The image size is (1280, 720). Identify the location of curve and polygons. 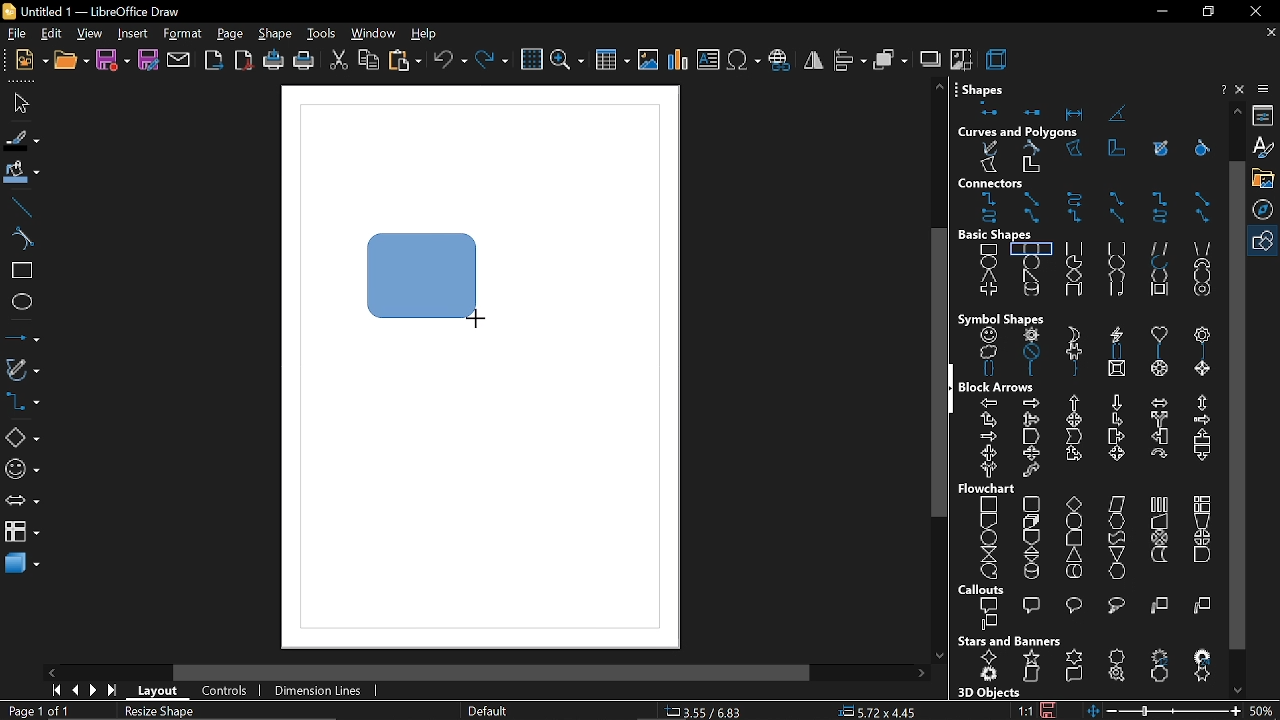
(23, 371).